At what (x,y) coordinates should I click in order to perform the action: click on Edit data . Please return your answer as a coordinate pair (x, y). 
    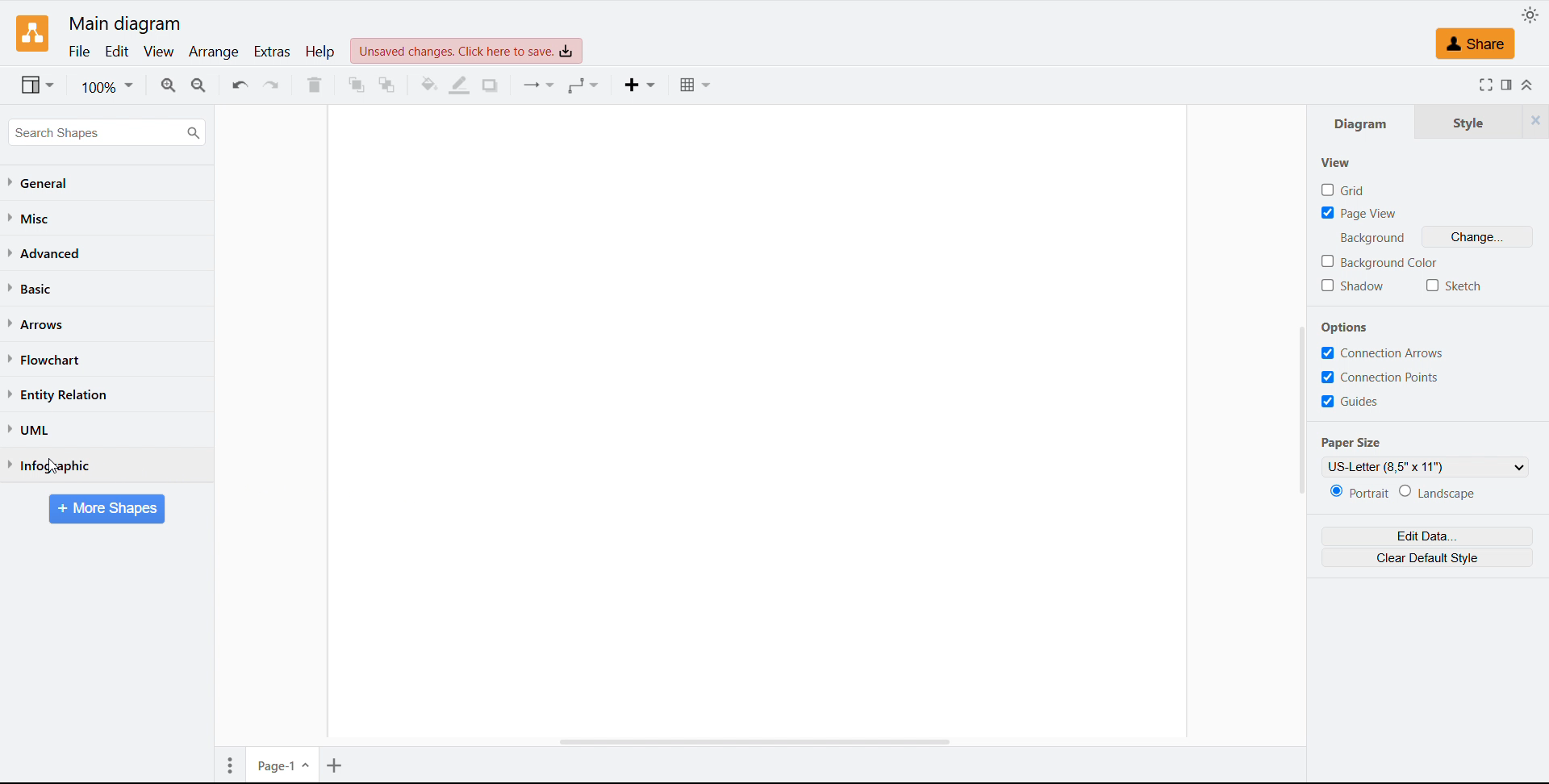
    Looking at the image, I should click on (1428, 536).